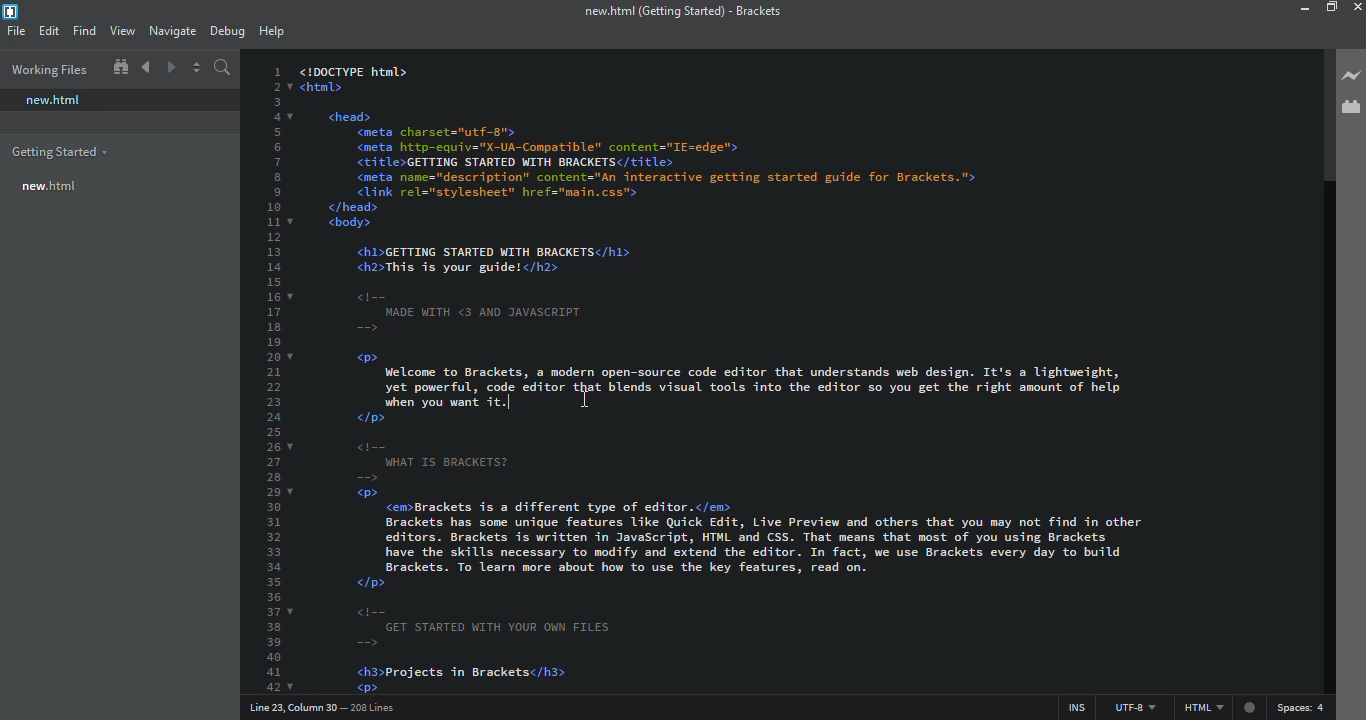 This screenshot has width=1366, height=720. What do you see at coordinates (223, 67) in the screenshot?
I see `search` at bounding box center [223, 67].